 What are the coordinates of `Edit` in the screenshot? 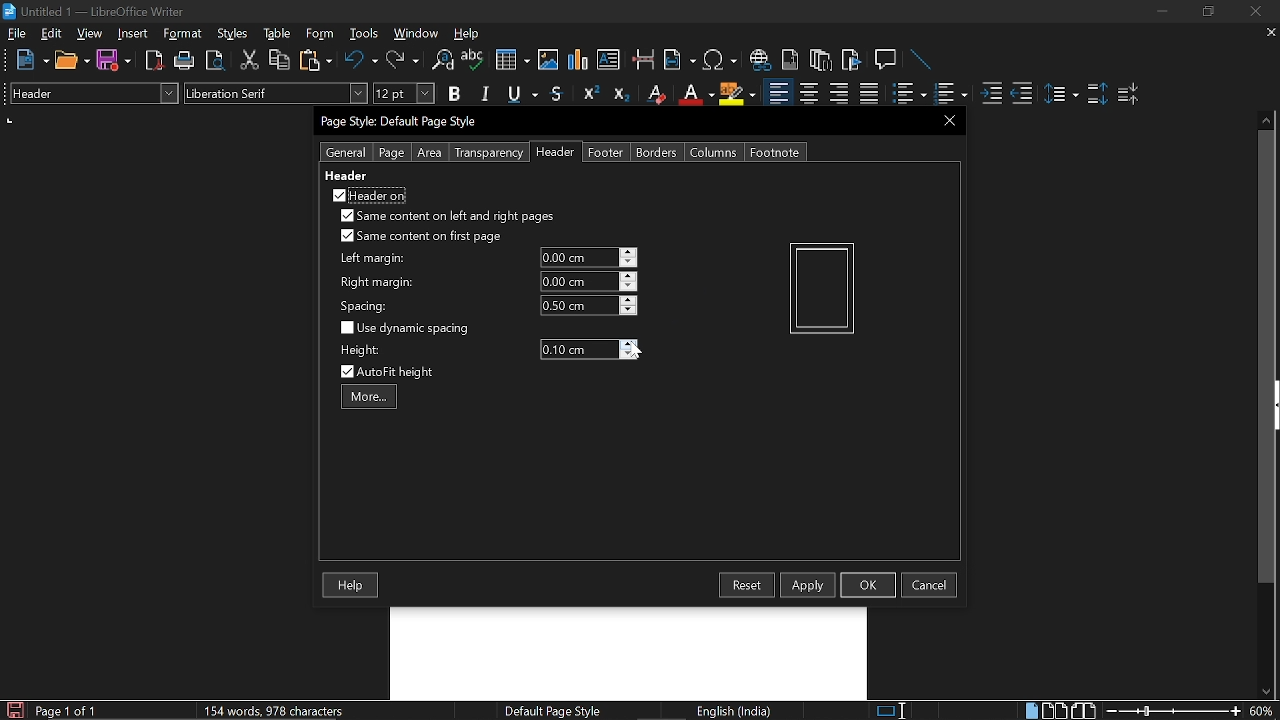 It's located at (52, 33).